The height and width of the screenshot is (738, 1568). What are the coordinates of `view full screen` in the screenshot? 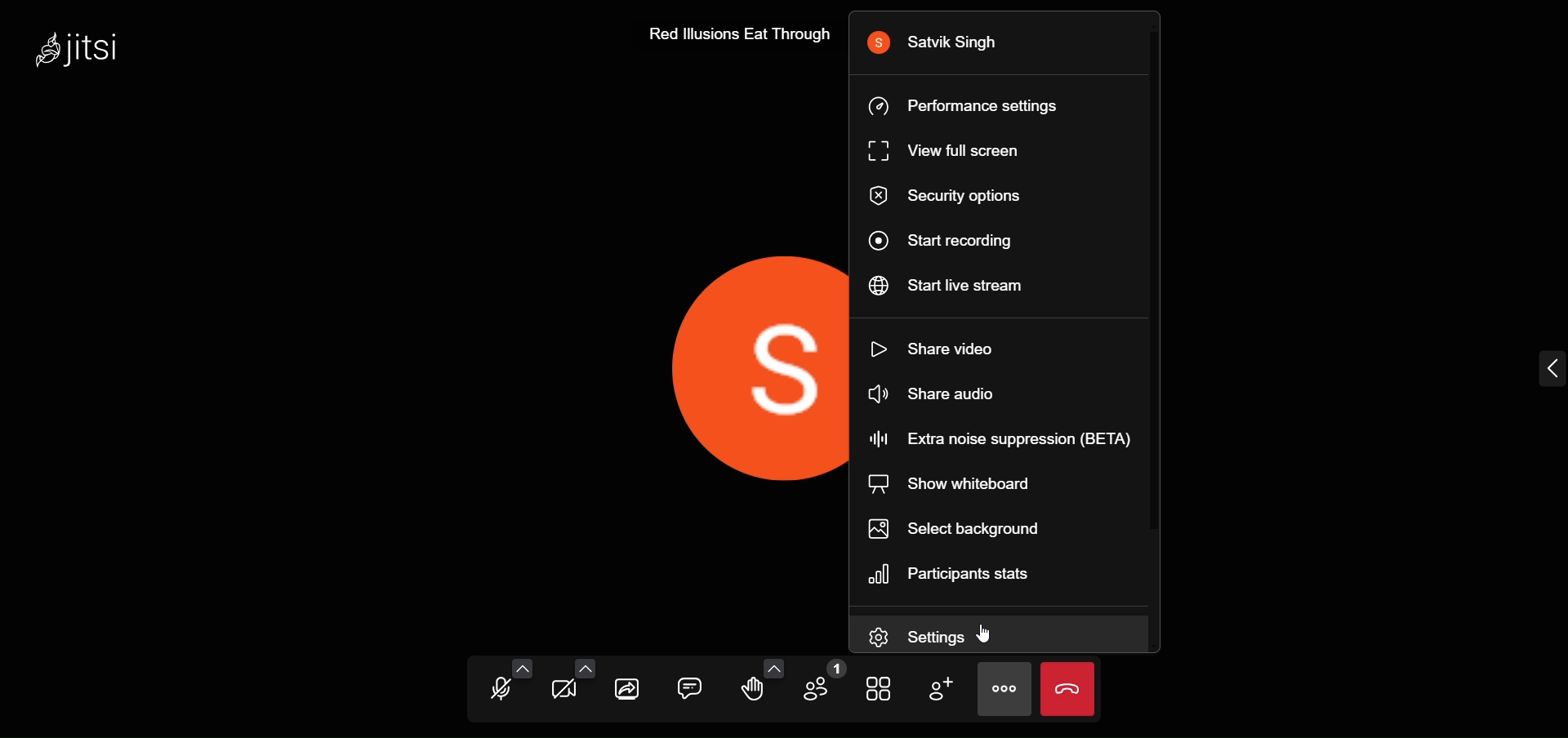 It's located at (951, 152).